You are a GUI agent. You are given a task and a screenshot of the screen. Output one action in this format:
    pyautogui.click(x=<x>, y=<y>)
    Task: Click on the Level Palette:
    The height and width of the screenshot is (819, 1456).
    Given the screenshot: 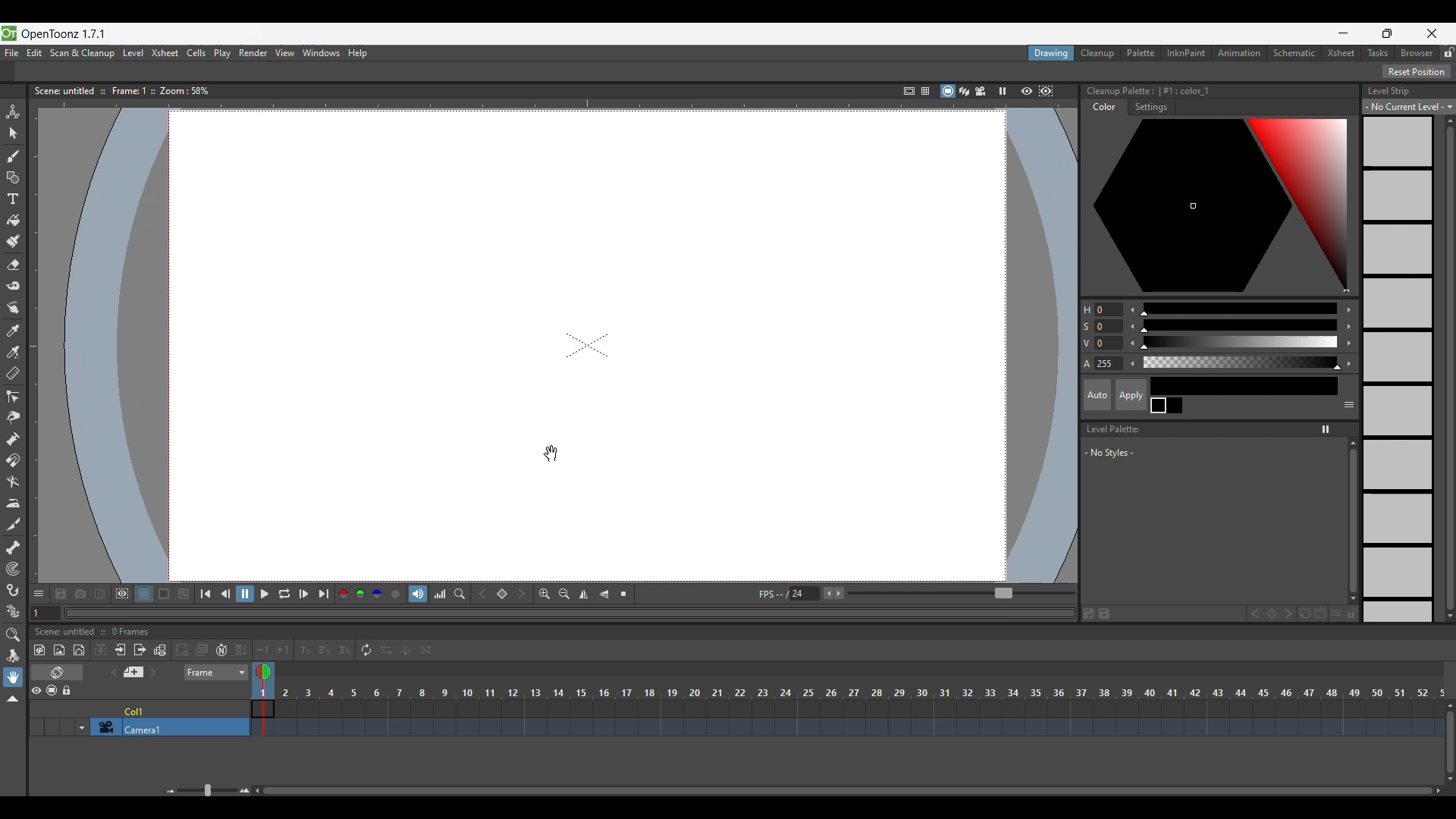 What is the action you would take?
    pyautogui.click(x=1116, y=428)
    